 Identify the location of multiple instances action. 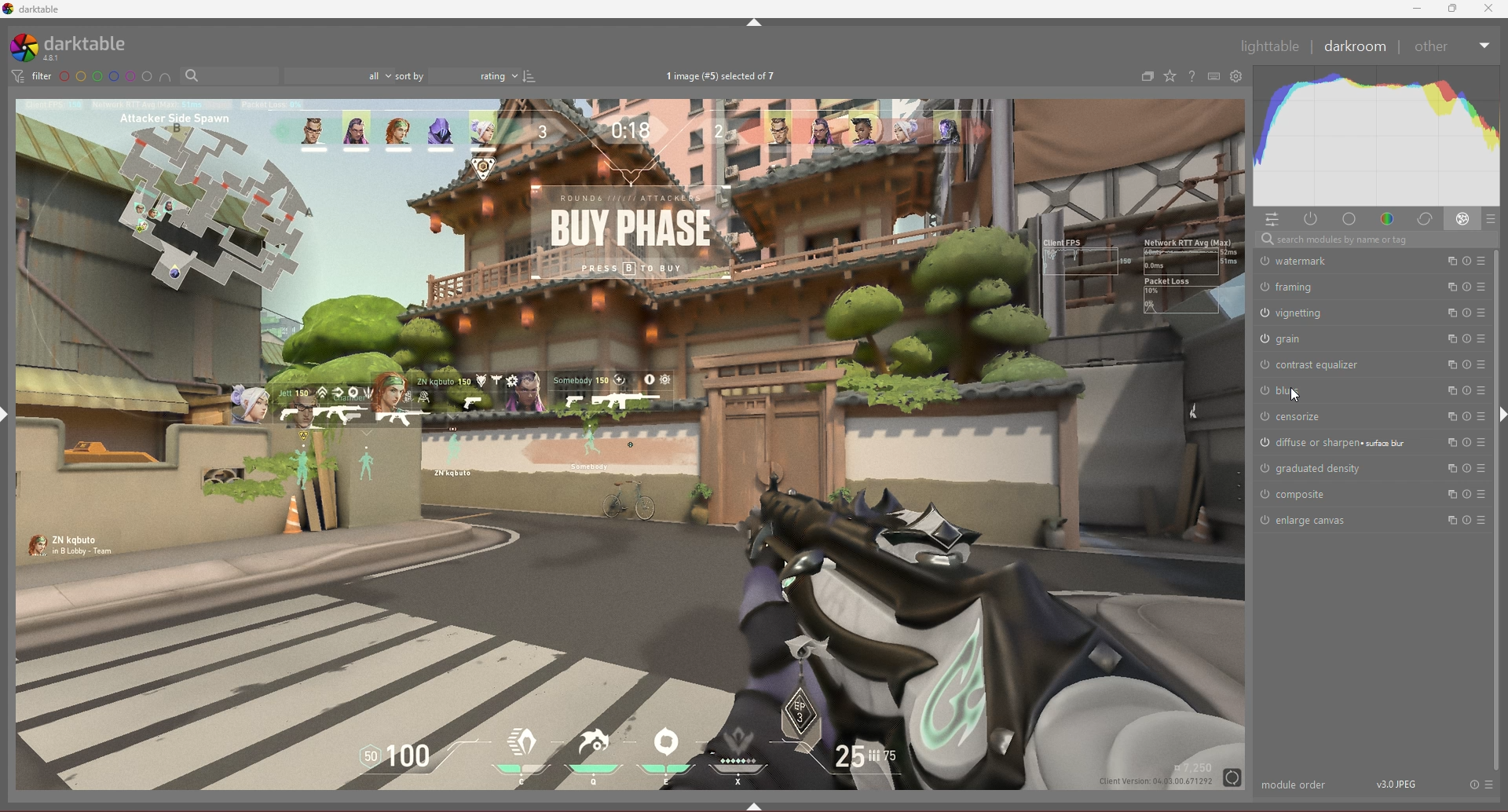
(1447, 365).